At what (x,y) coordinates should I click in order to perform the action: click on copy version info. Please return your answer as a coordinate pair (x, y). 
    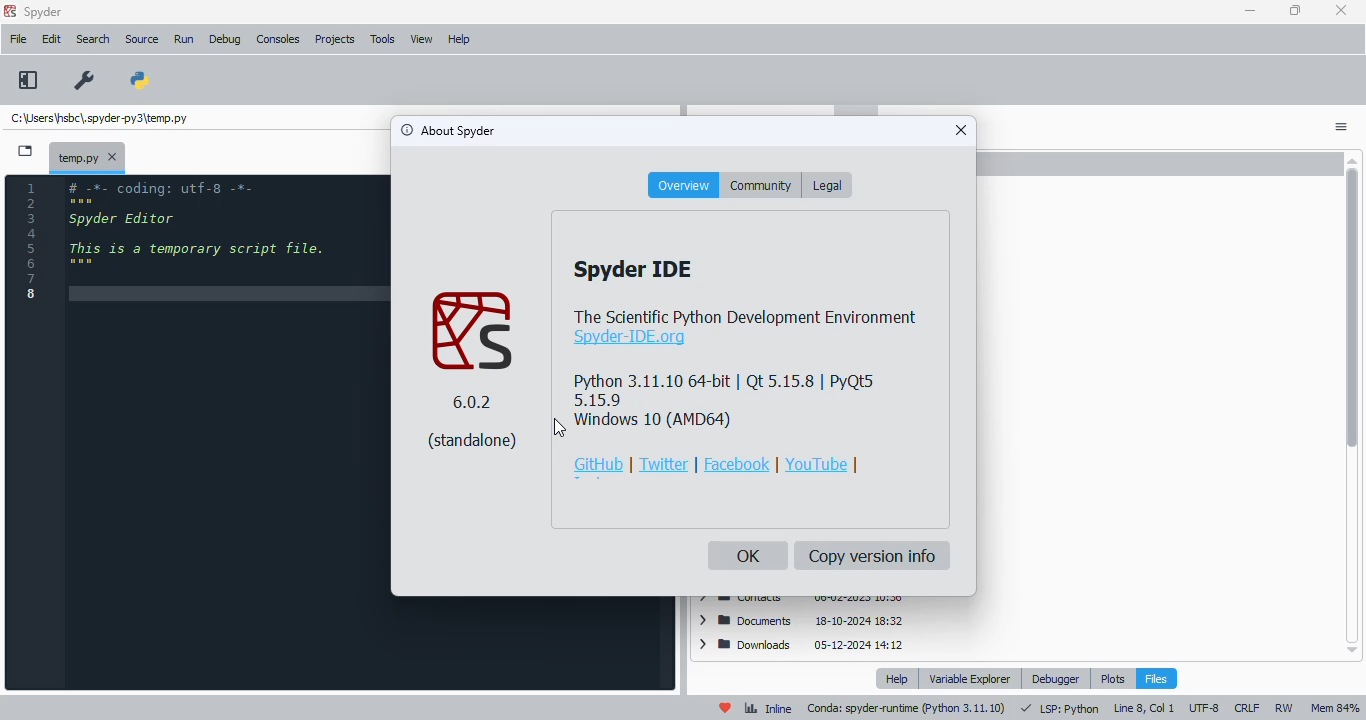
    Looking at the image, I should click on (873, 556).